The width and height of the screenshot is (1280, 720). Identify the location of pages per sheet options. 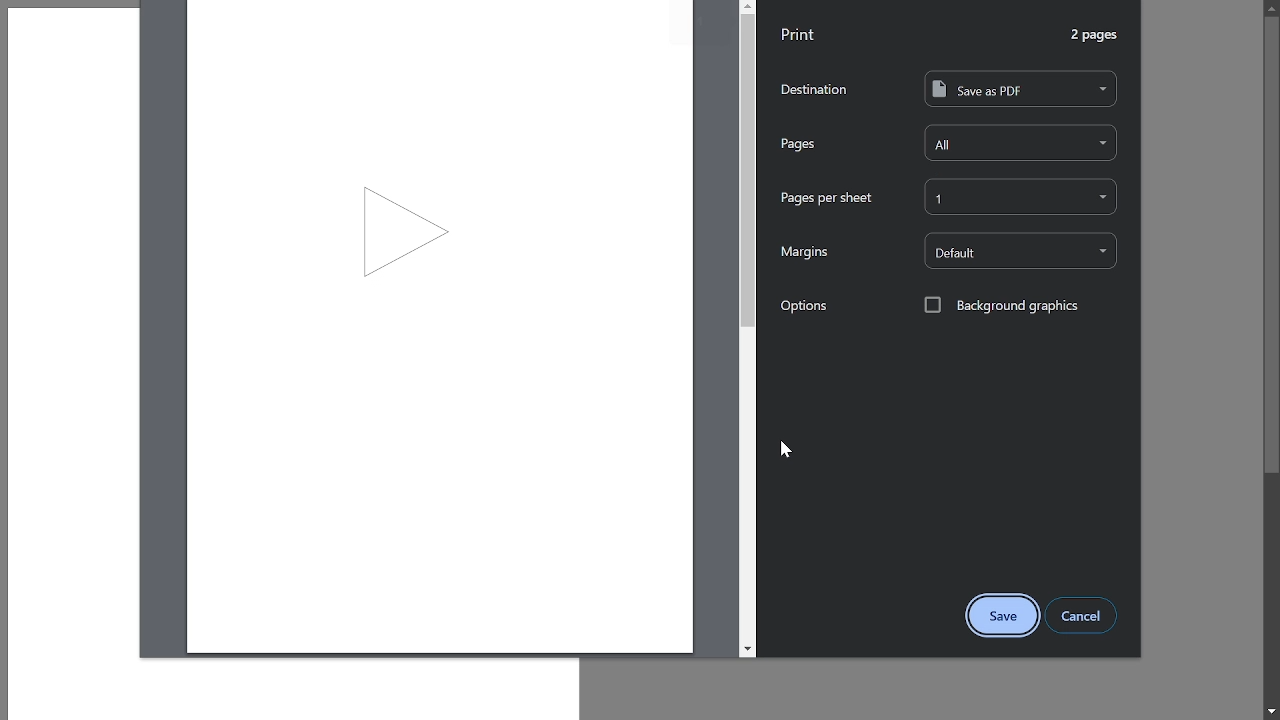
(1021, 197).